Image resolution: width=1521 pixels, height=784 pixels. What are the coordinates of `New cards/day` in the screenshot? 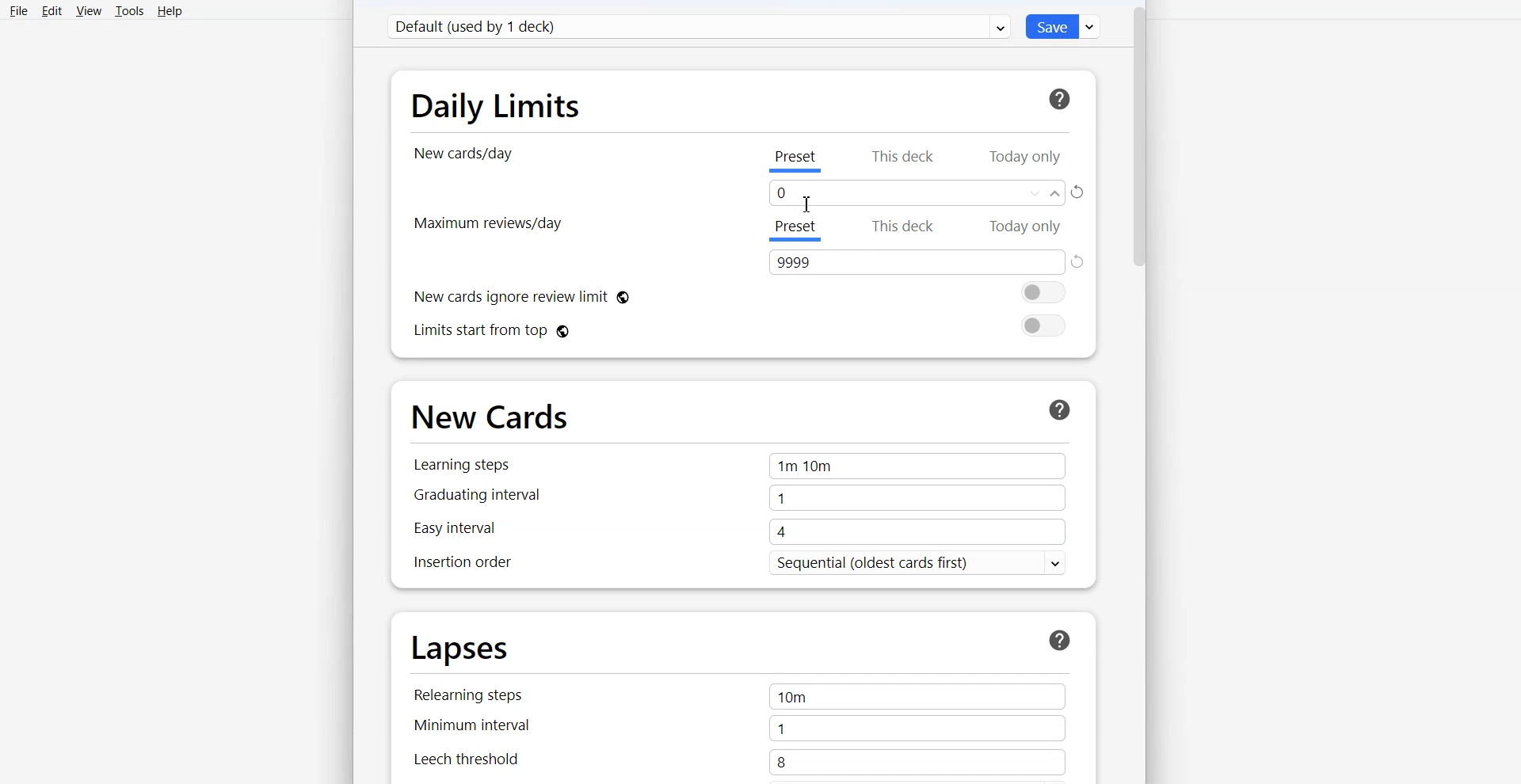 It's located at (465, 154).